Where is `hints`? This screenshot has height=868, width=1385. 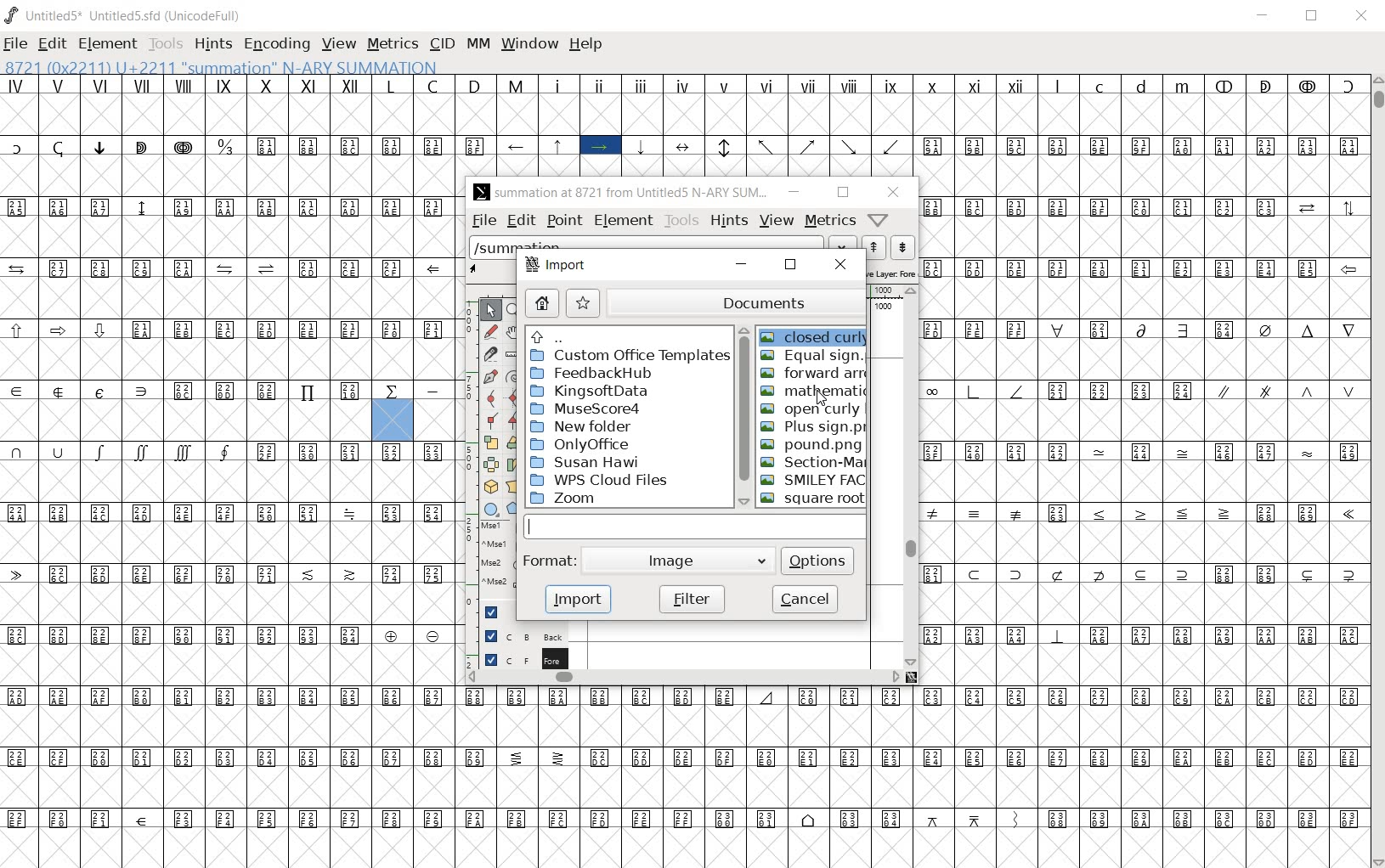
hints is located at coordinates (728, 220).